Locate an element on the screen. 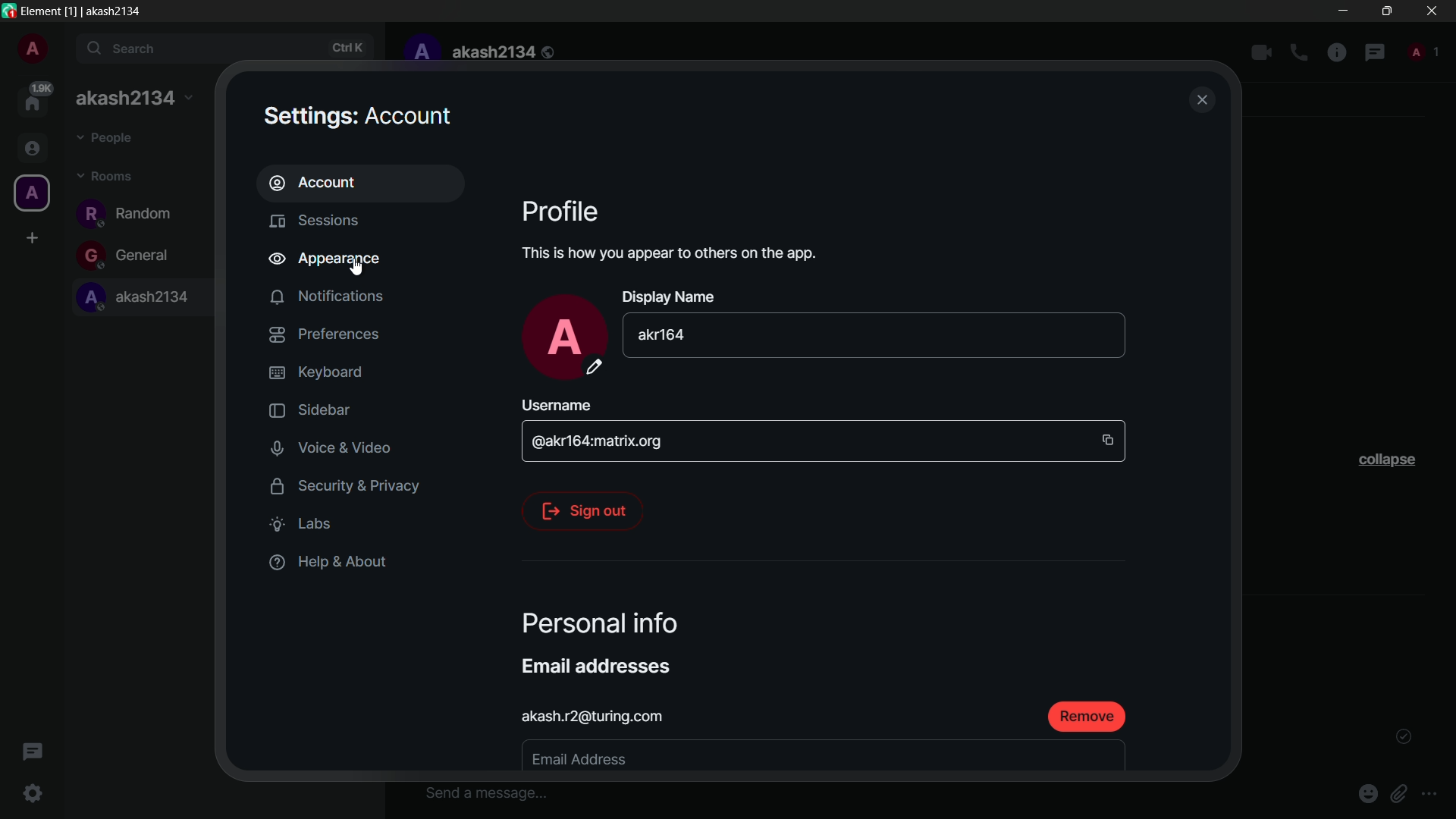 The width and height of the screenshot is (1456, 819). minimize is located at coordinates (1345, 11).